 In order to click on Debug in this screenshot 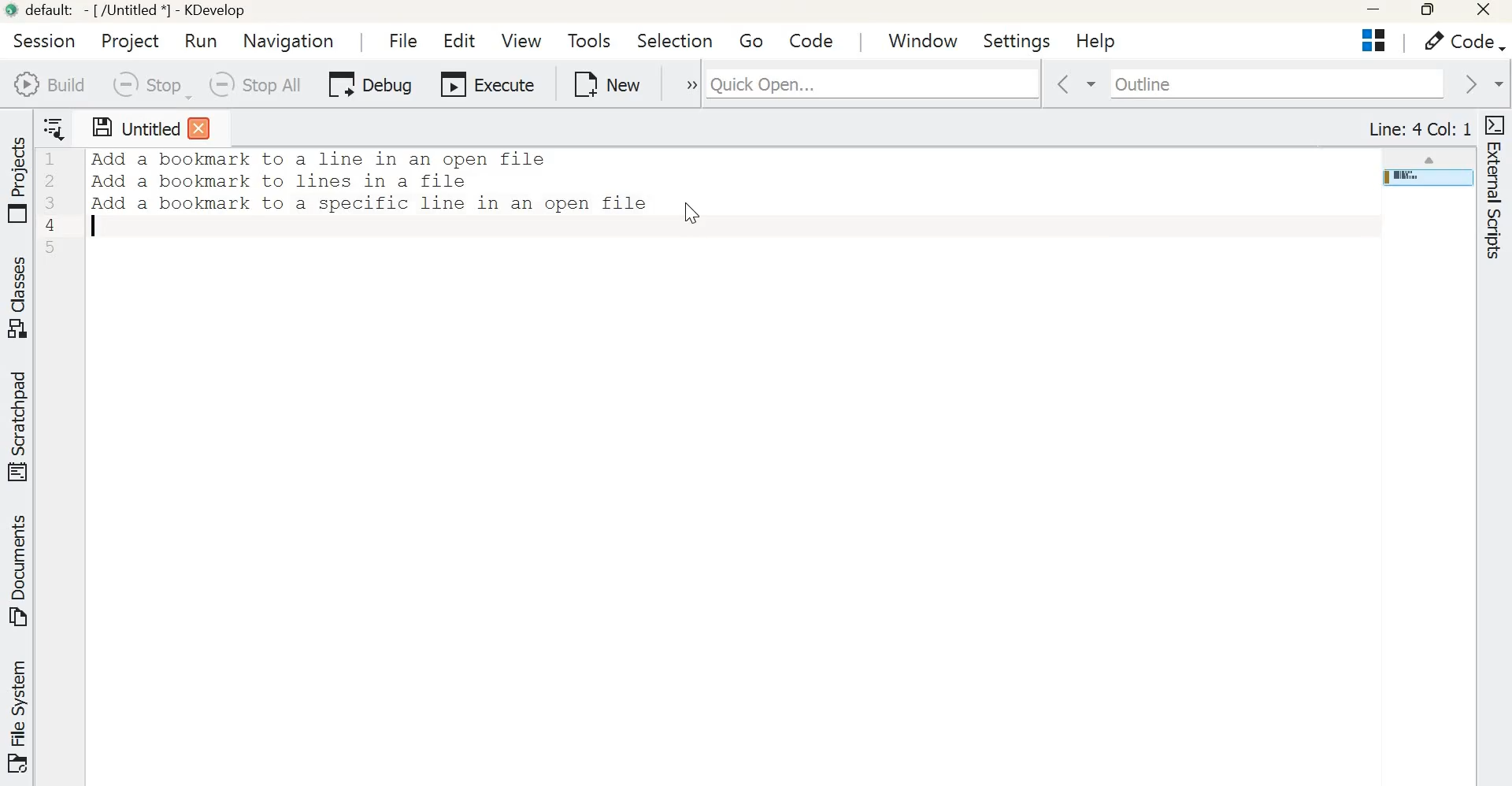, I will do `click(368, 83)`.